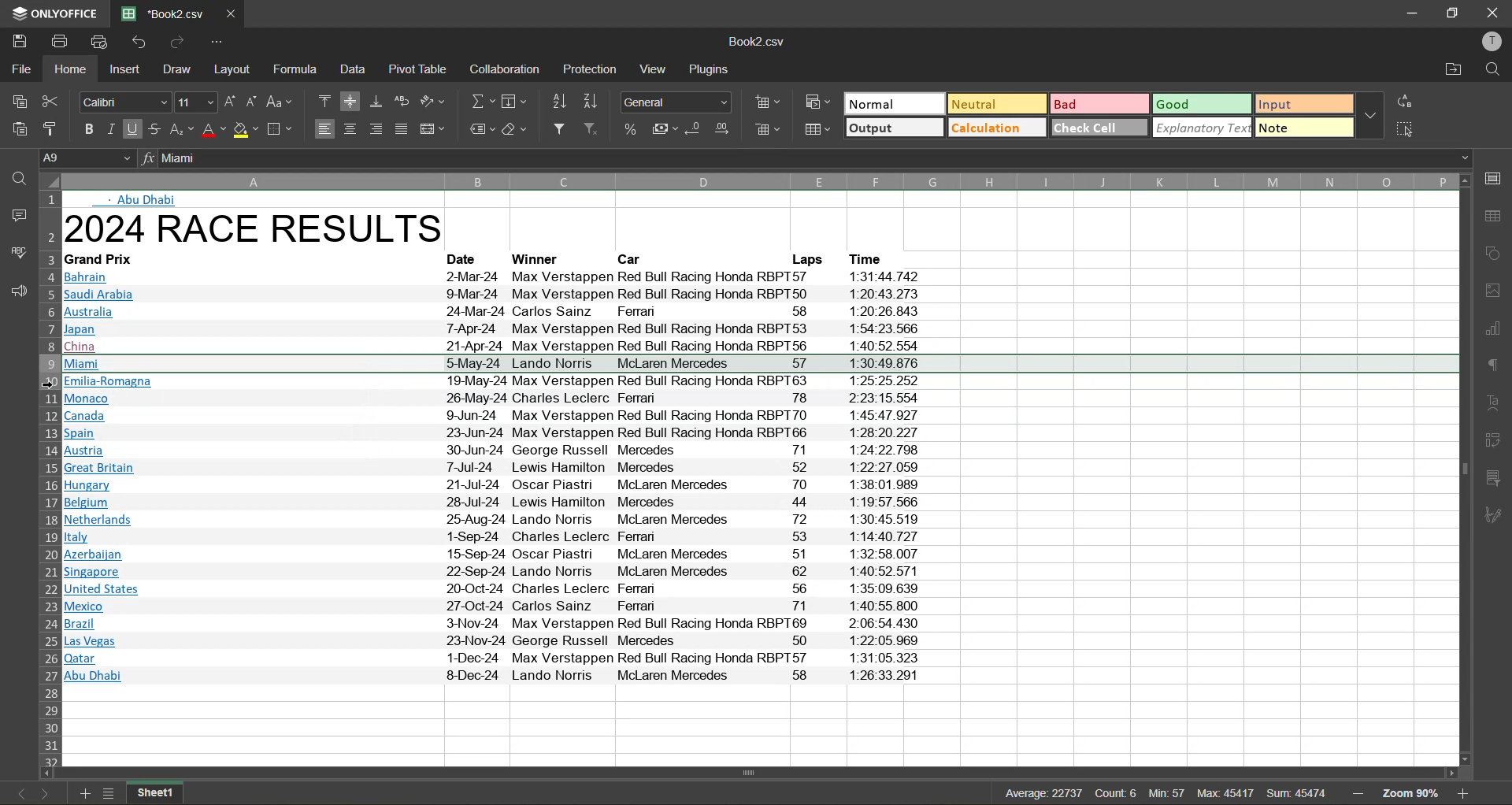  Describe the element at coordinates (133, 129) in the screenshot. I see `underline` at that location.